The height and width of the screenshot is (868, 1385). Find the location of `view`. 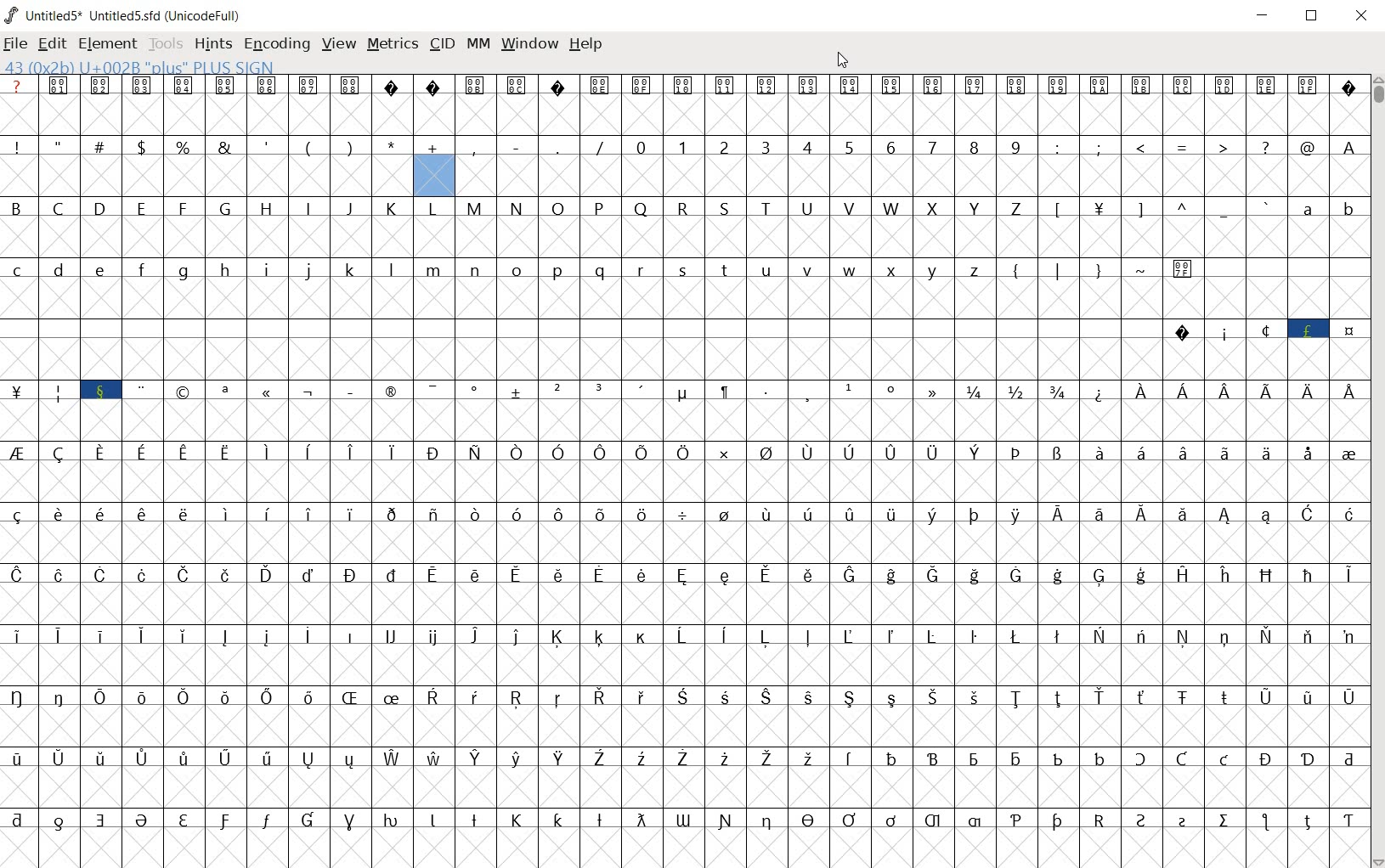

view is located at coordinates (337, 42).